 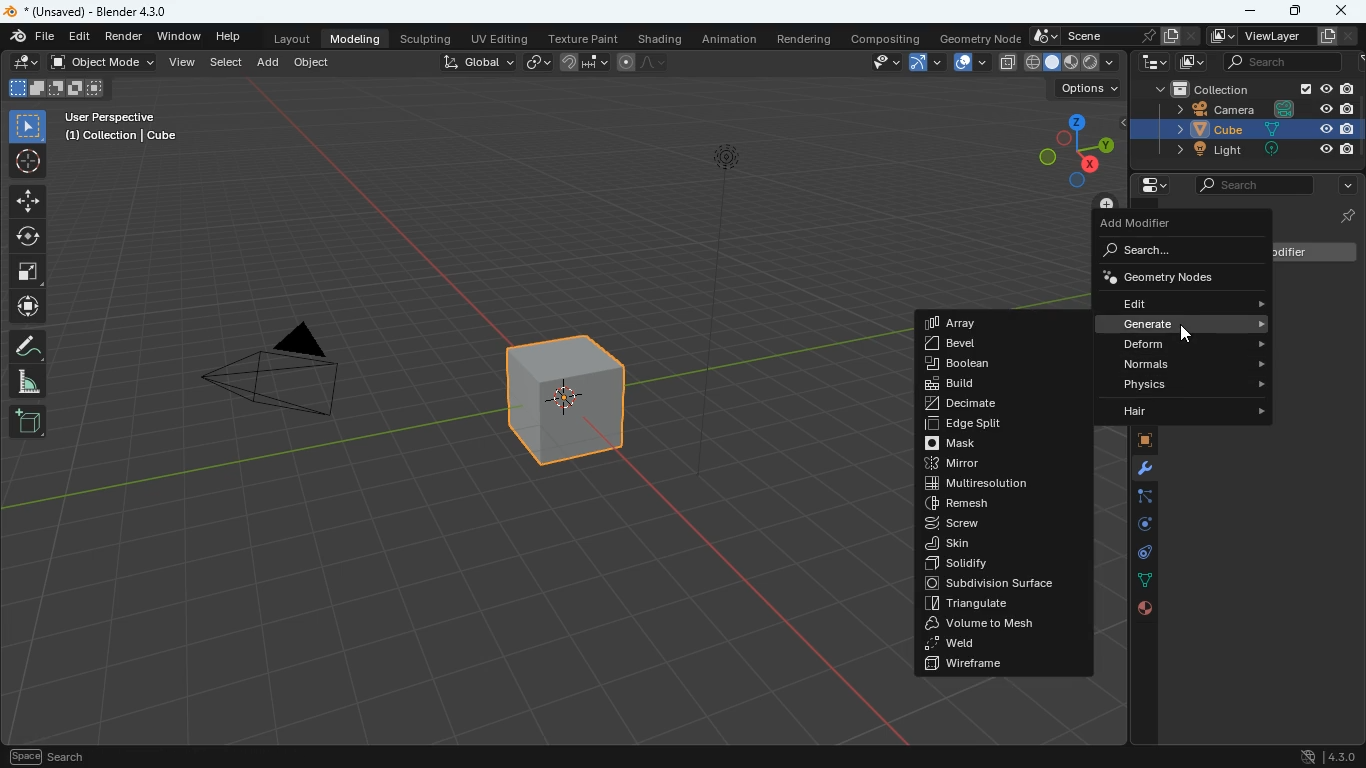 I want to click on compositing, so click(x=884, y=38).